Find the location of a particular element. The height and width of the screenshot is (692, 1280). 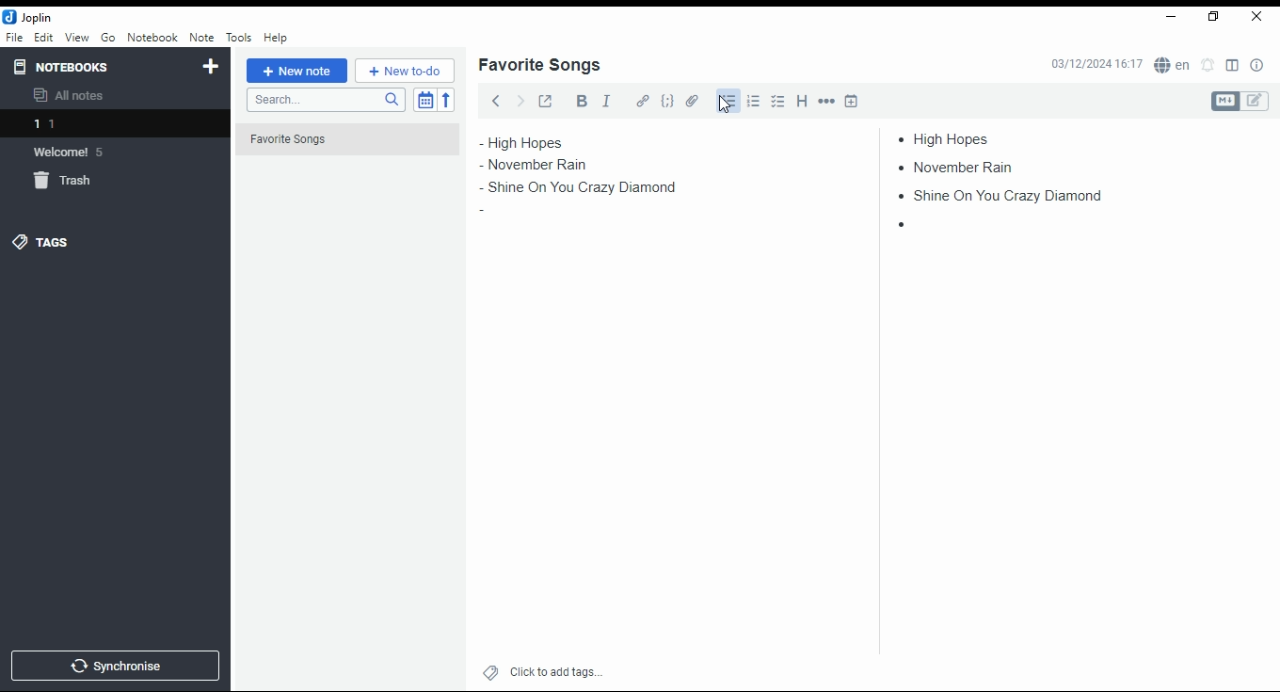

trash is located at coordinates (74, 184).